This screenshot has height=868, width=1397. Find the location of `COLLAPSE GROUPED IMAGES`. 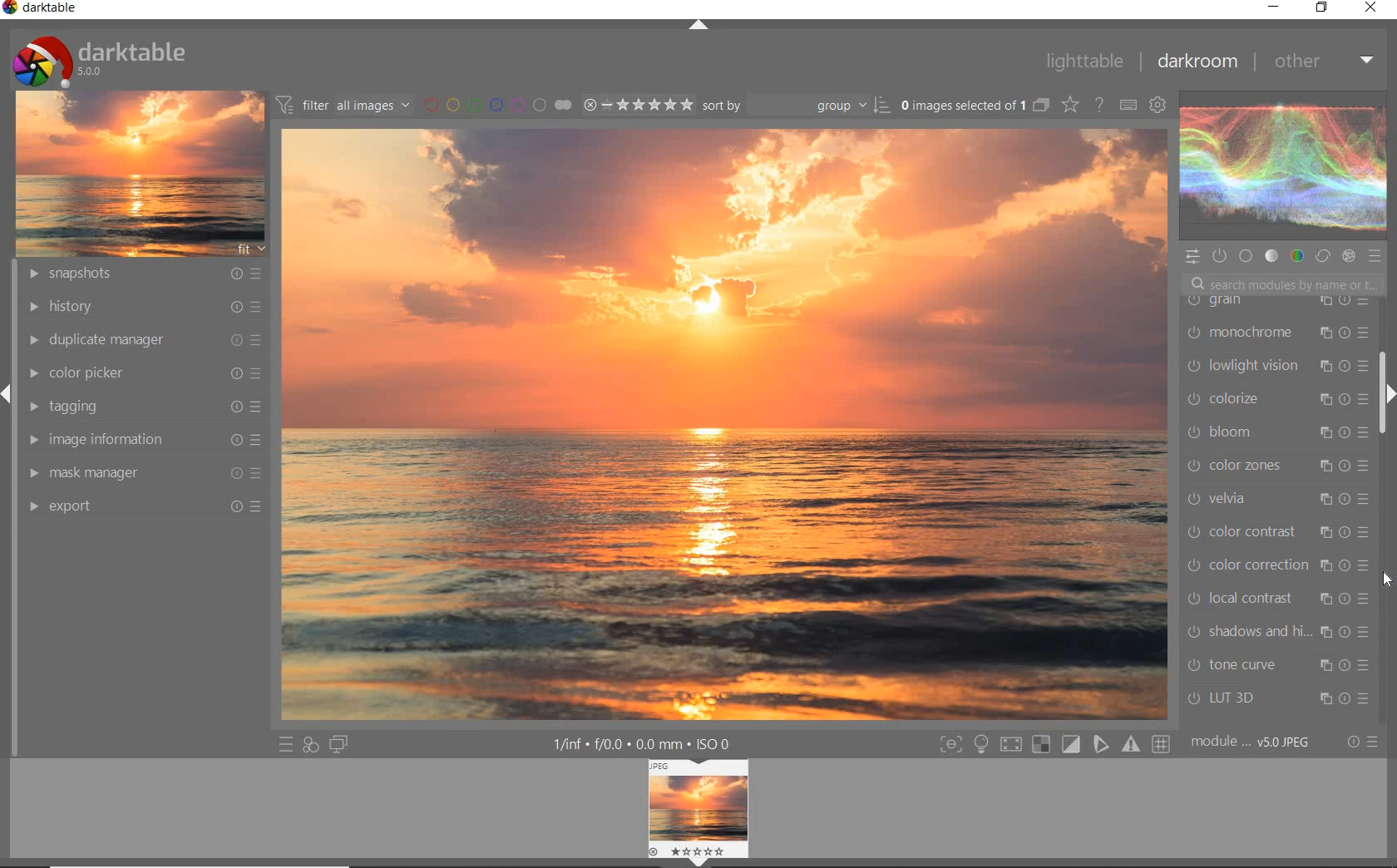

COLLAPSE GROUPED IMAGES is located at coordinates (1040, 104).